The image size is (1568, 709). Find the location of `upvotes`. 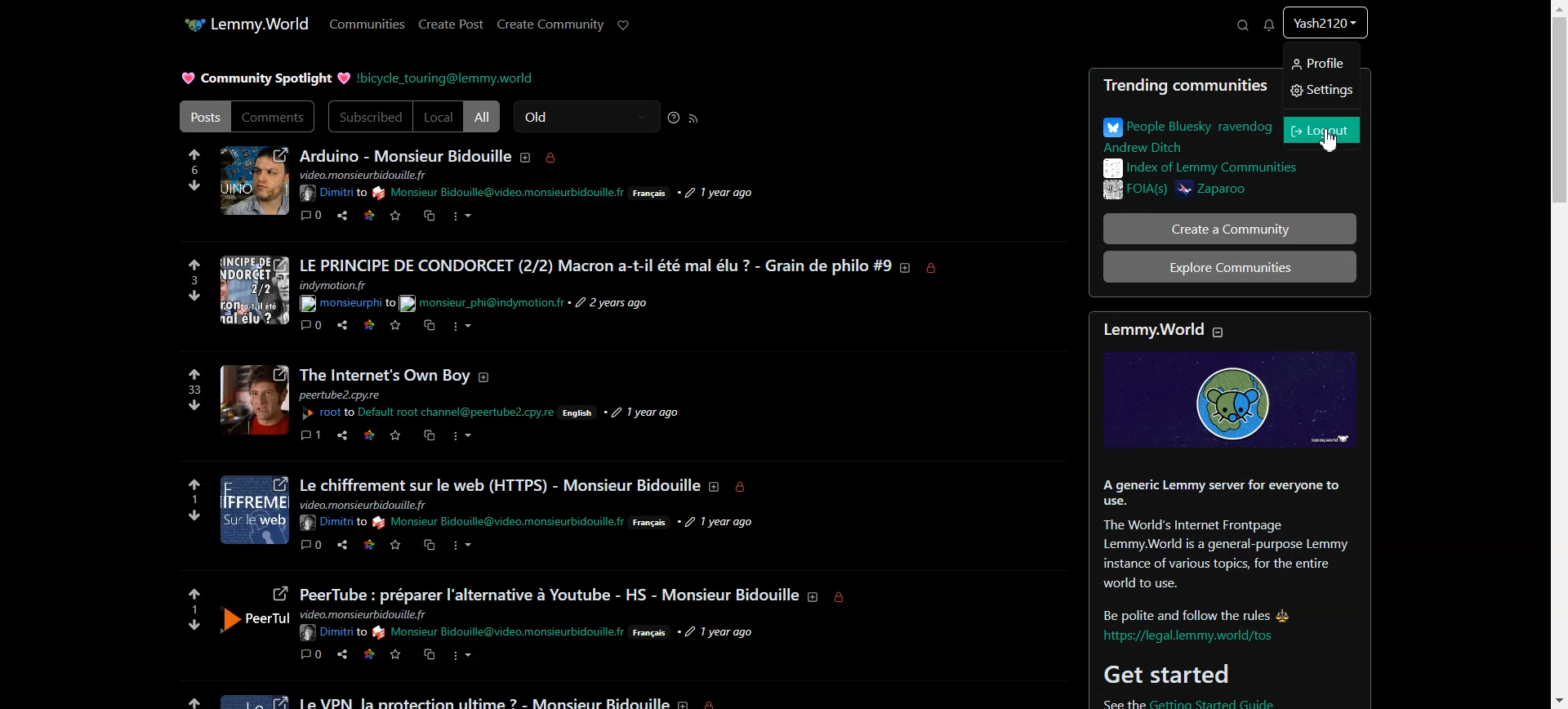

upvotes is located at coordinates (194, 589).